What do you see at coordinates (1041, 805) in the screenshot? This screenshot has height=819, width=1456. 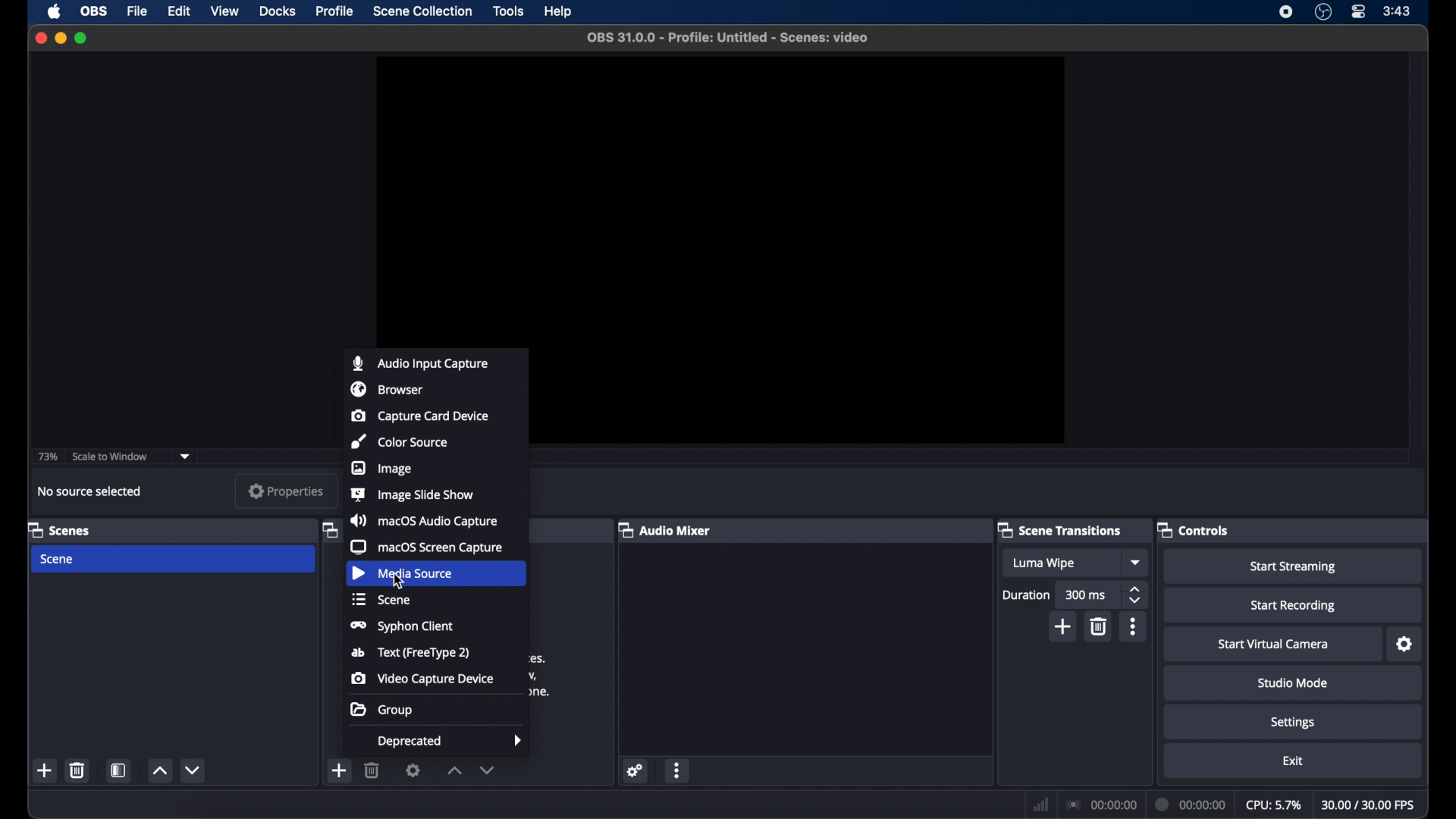 I see `network` at bounding box center [1041, 805].